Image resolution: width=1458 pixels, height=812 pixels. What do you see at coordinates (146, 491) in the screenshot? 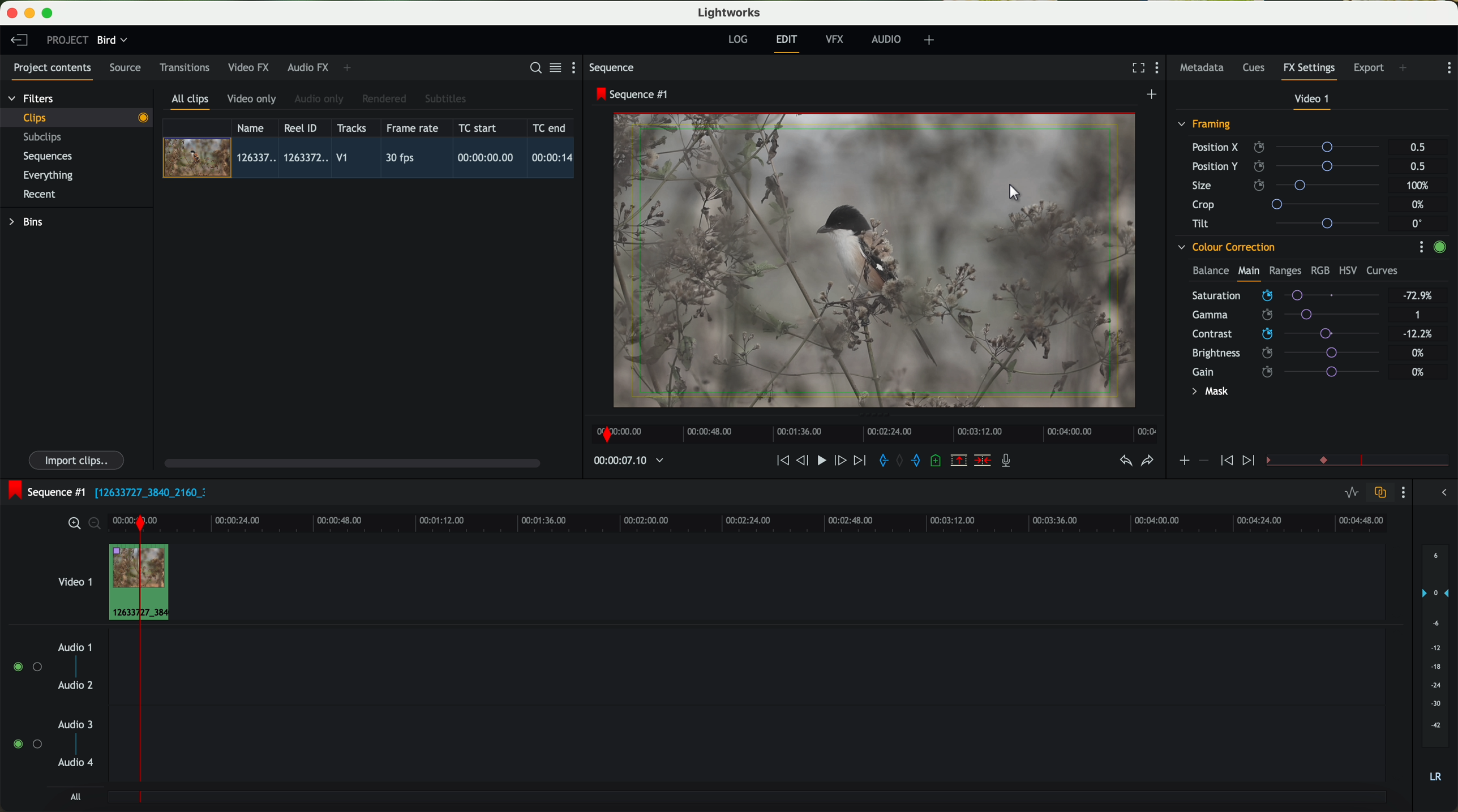
I see `black` at bounding box center [146, 491].